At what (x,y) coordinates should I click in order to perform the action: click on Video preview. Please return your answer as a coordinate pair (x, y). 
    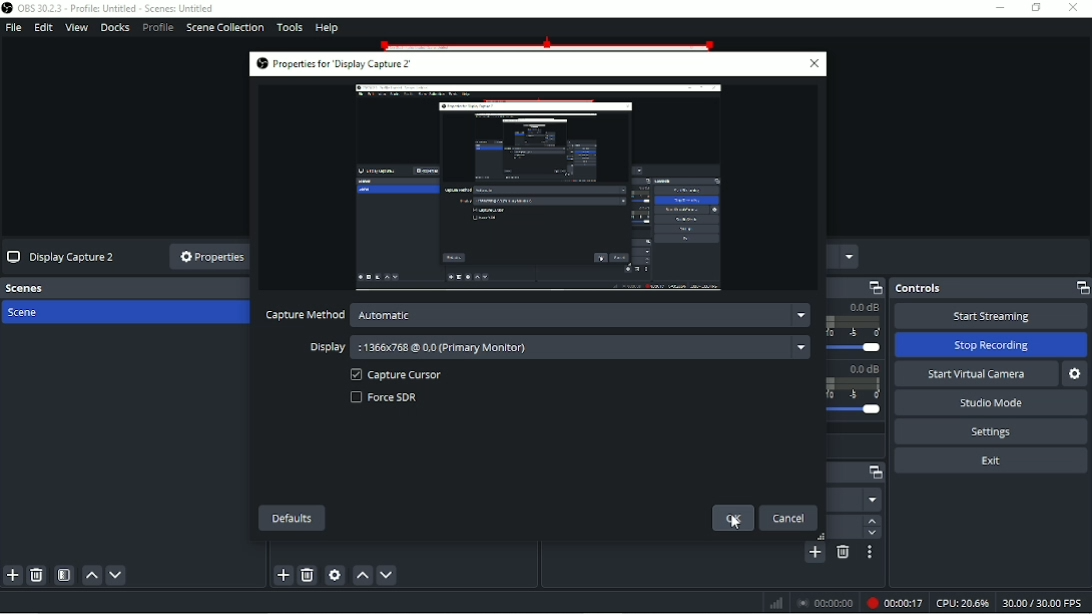
    Looking at the image, I should click on (536, 189).